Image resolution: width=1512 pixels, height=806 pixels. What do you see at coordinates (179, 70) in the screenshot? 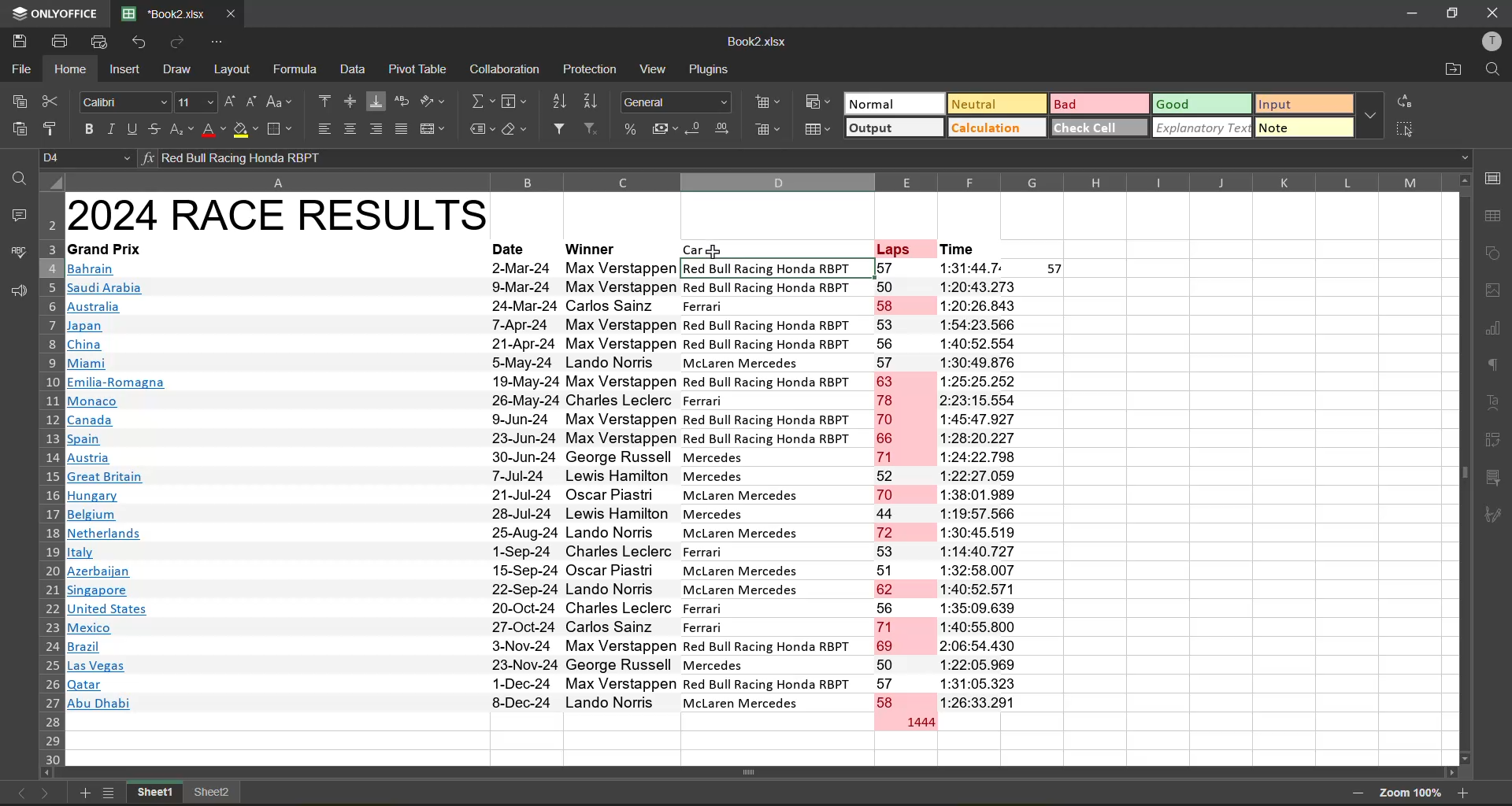
I see `draw` at bounding box center [179, 70].